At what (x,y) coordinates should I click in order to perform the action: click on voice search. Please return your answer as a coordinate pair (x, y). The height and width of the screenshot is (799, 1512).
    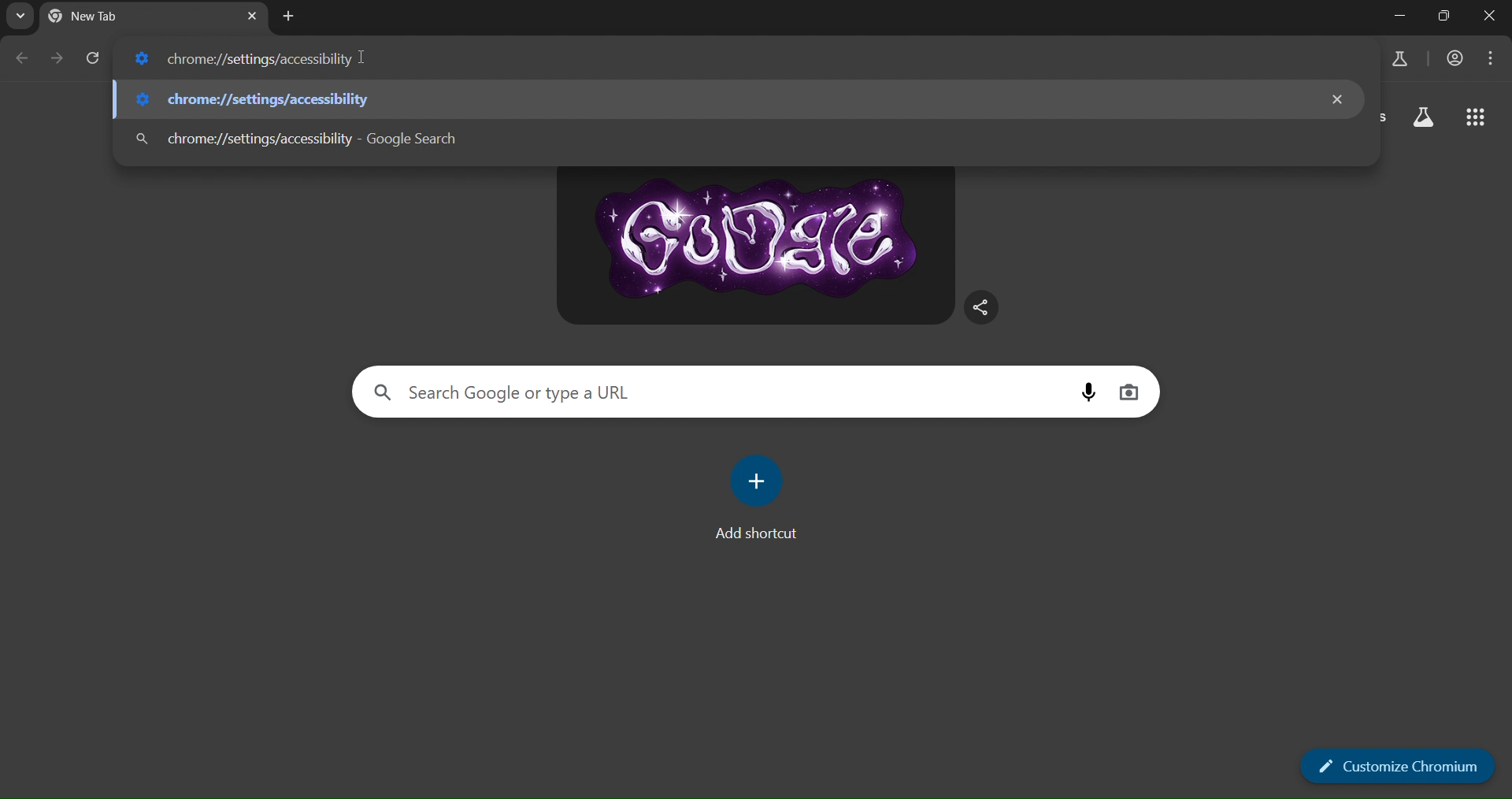
    Looking at the image, I should click on (1086, 392).